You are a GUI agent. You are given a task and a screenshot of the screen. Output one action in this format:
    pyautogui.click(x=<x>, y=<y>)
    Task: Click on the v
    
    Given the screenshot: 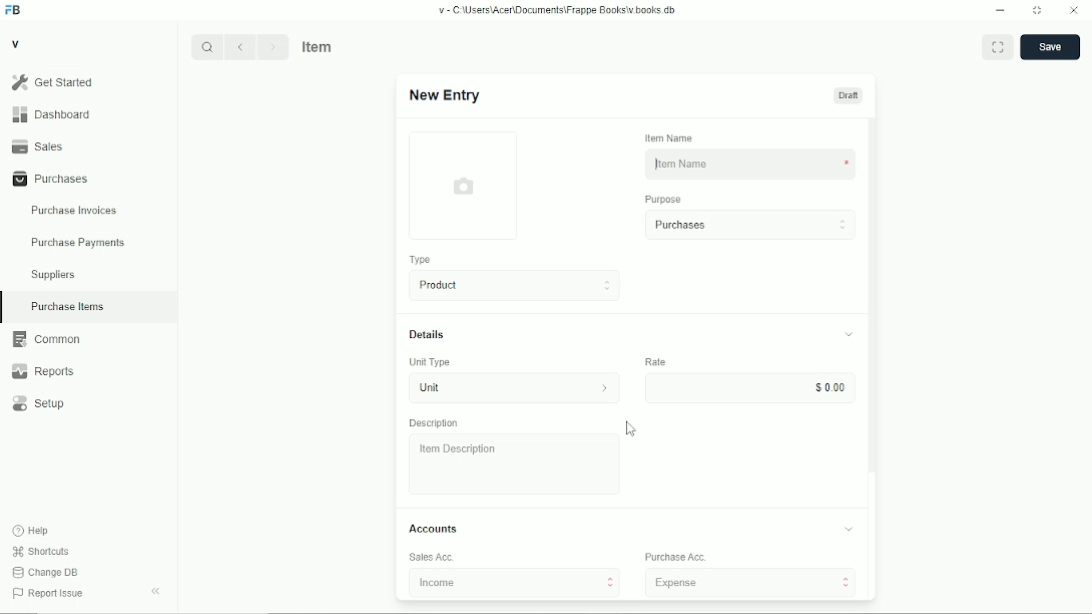 What is the action you would take?
    pyautogui.click(x=17, y=43)
    